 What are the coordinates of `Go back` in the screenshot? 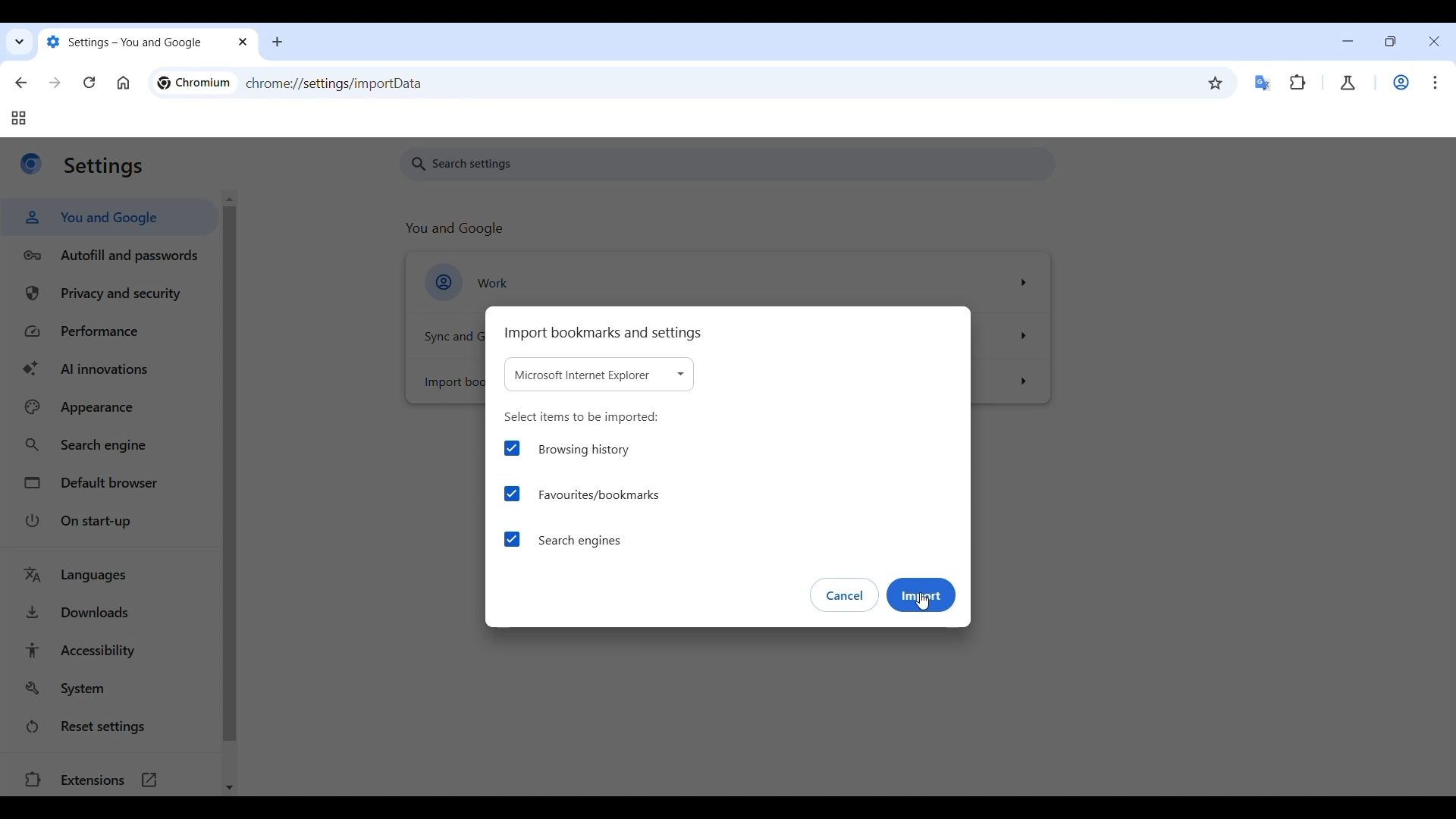 It's located at (21, 83).